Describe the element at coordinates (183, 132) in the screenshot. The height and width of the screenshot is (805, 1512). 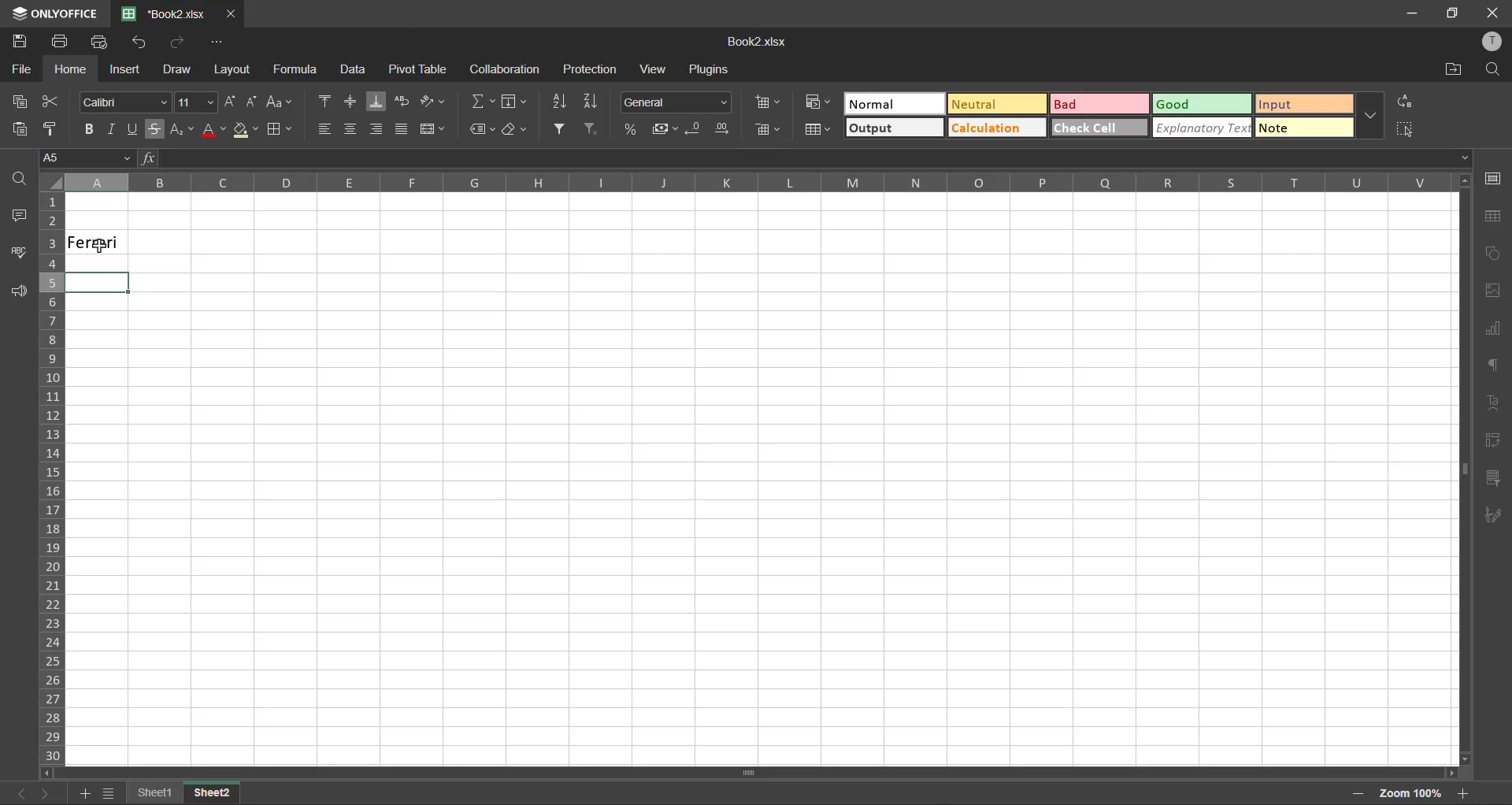
I see `sub/superscript` at that location.